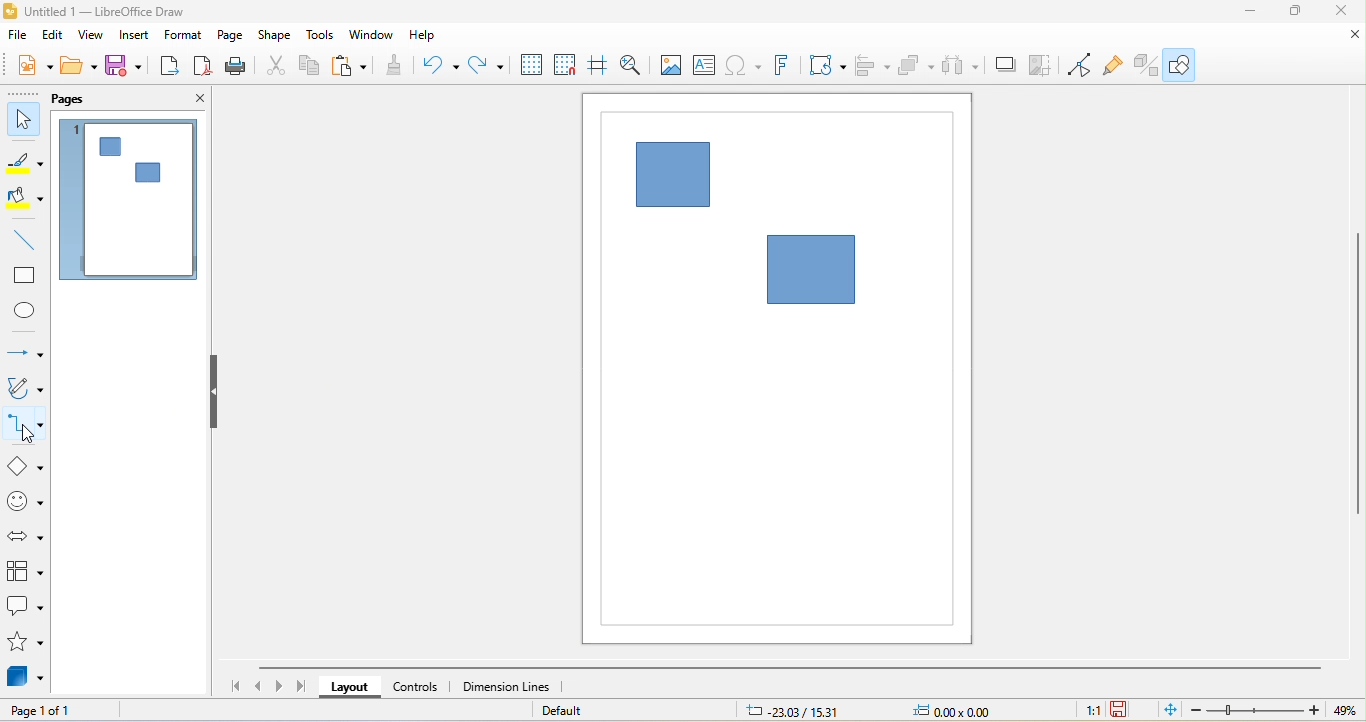  What do you see at coordinates (274, 36) in the screenshot?
I see `shape` at bounding box center [274, 36].